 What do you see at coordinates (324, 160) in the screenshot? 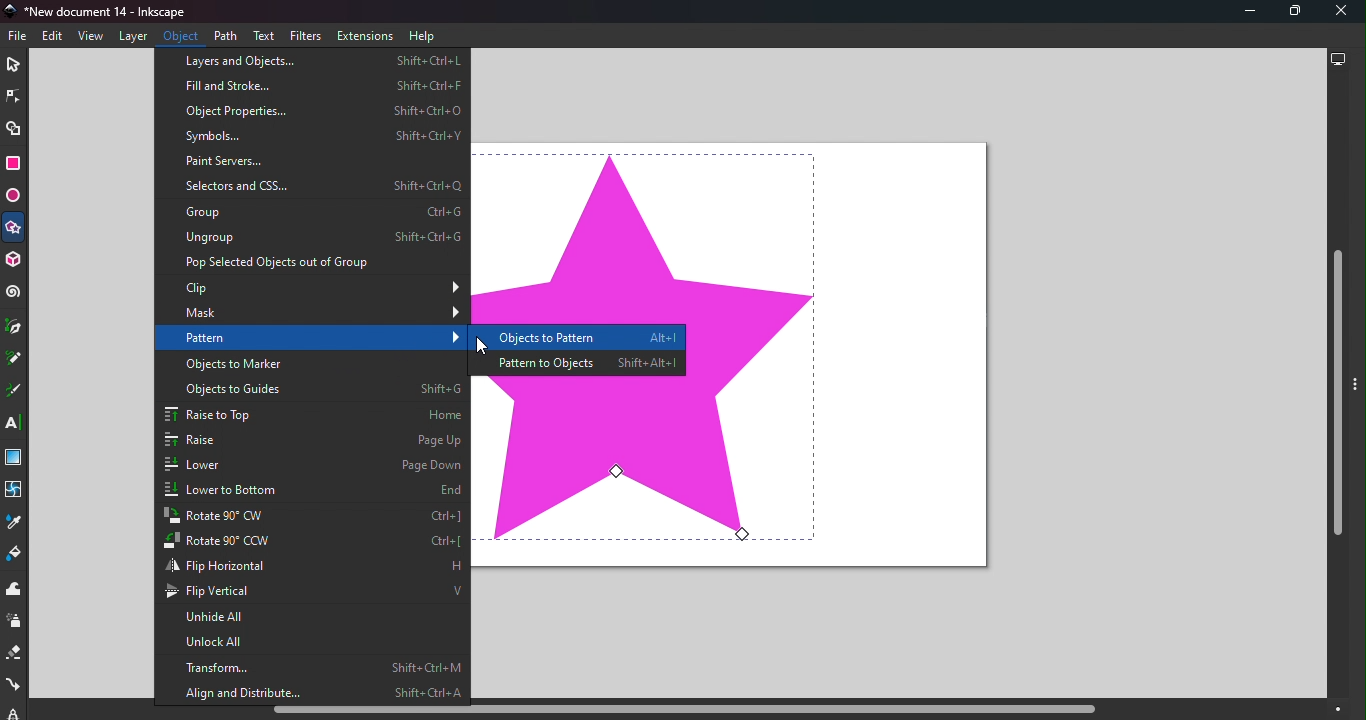
I see `Paint servers` at bounding box center [324, 160].